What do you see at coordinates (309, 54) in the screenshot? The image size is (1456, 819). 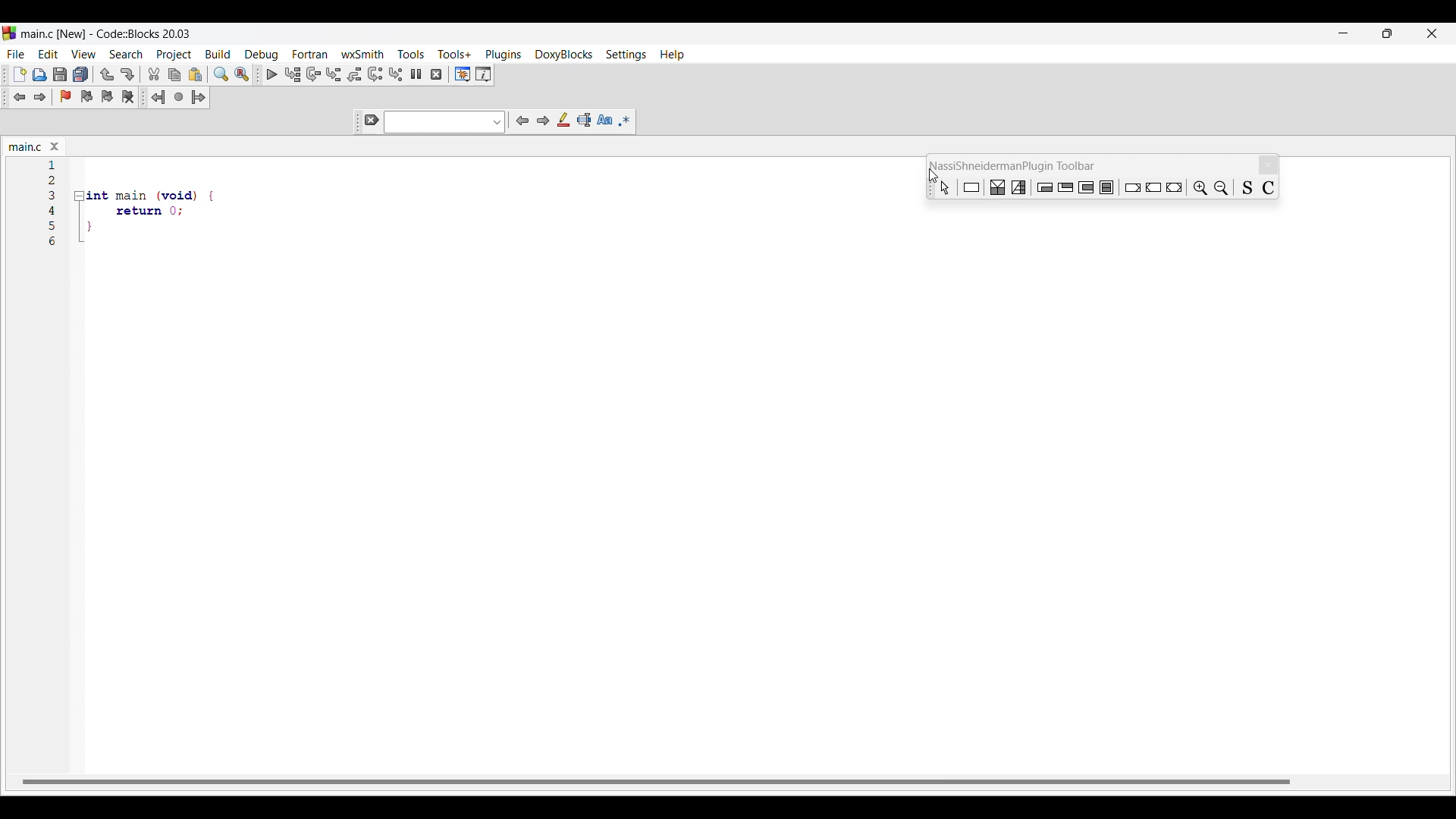 I see `Fortran menu` at bounding box center [309, 54].